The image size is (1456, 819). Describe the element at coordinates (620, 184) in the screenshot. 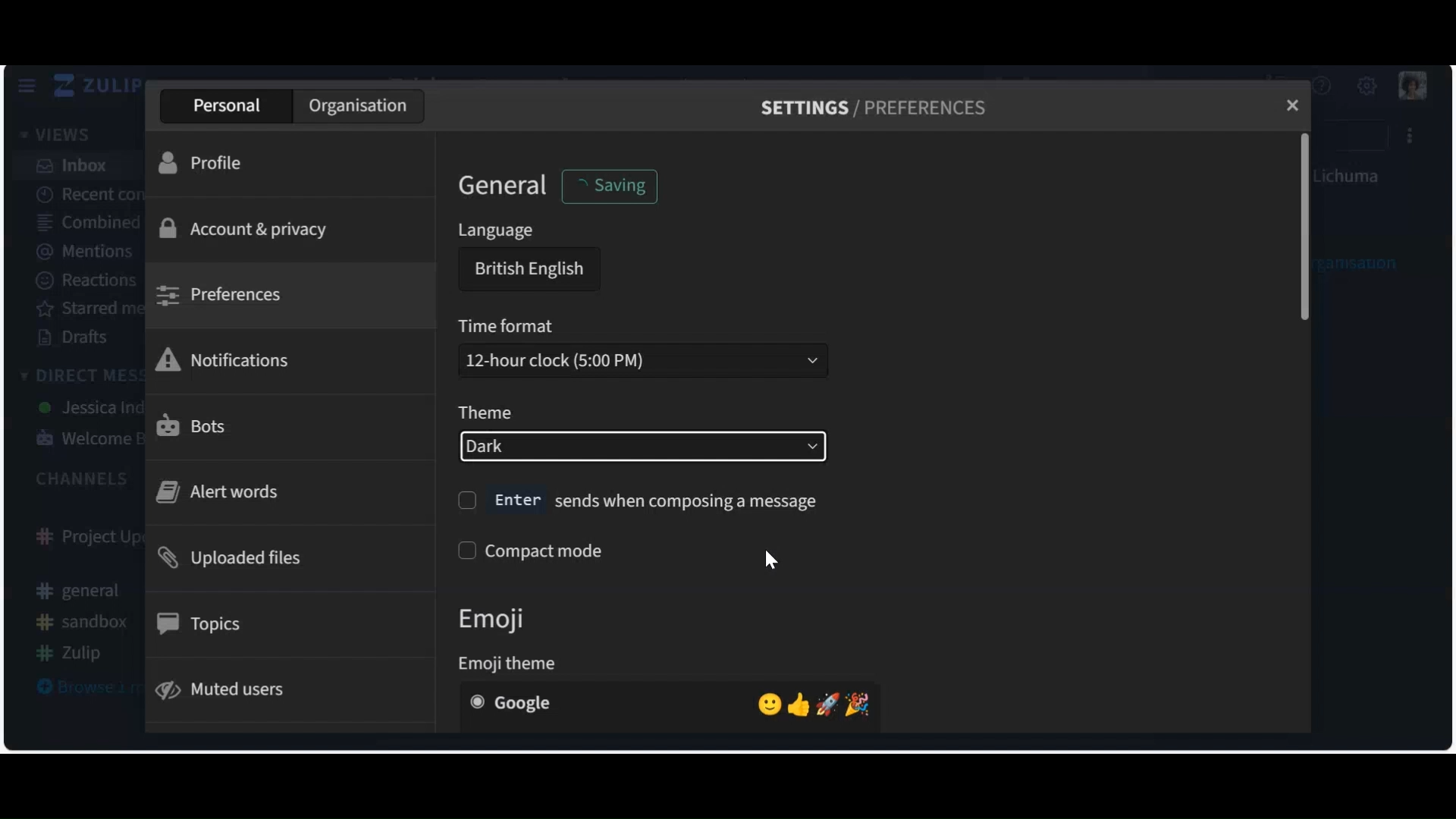

I see `Saving` at that location.